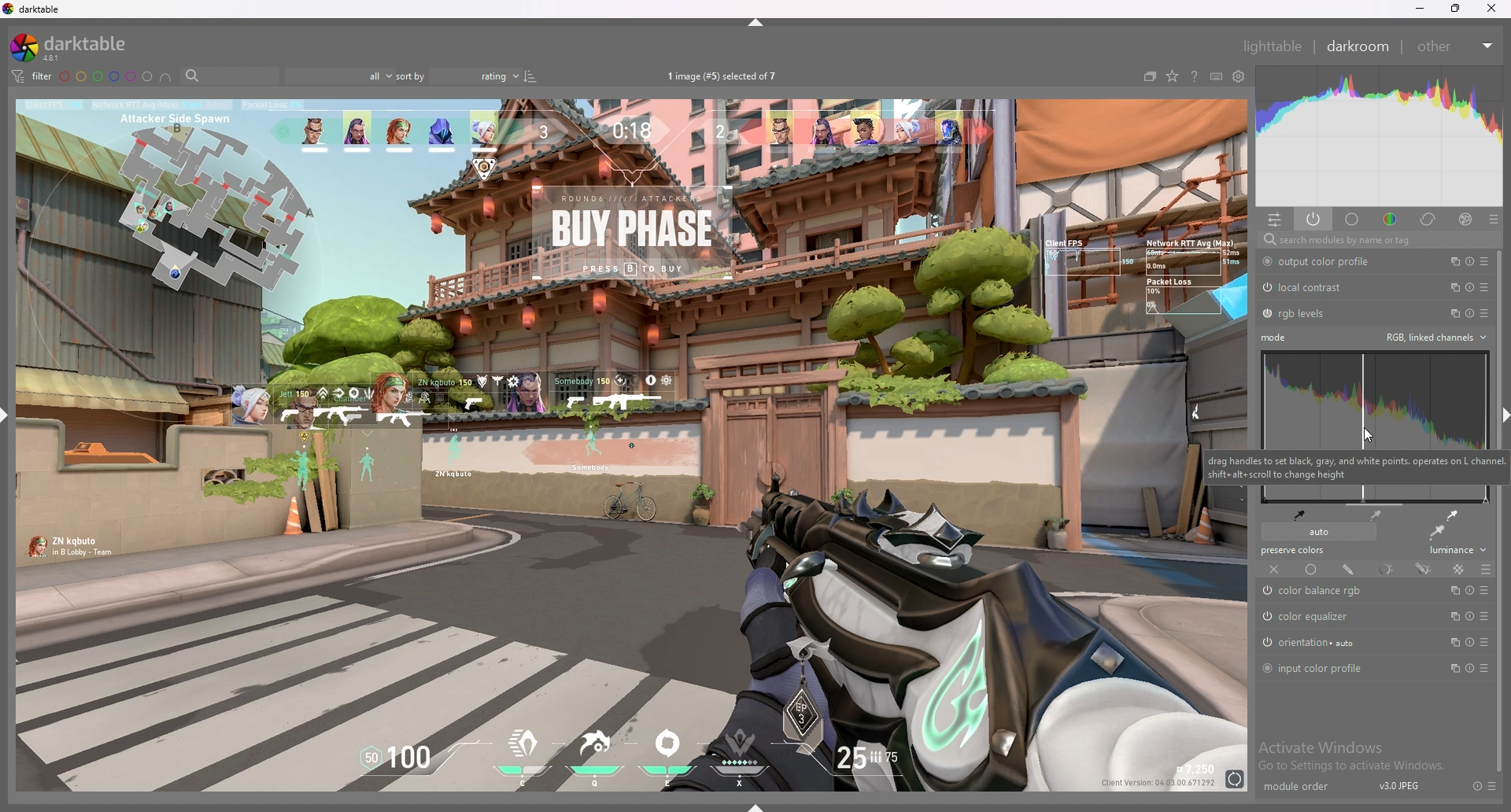 The width and height of the screenshot is (1511, 812). I want to click on hide, so click(1507, 415).